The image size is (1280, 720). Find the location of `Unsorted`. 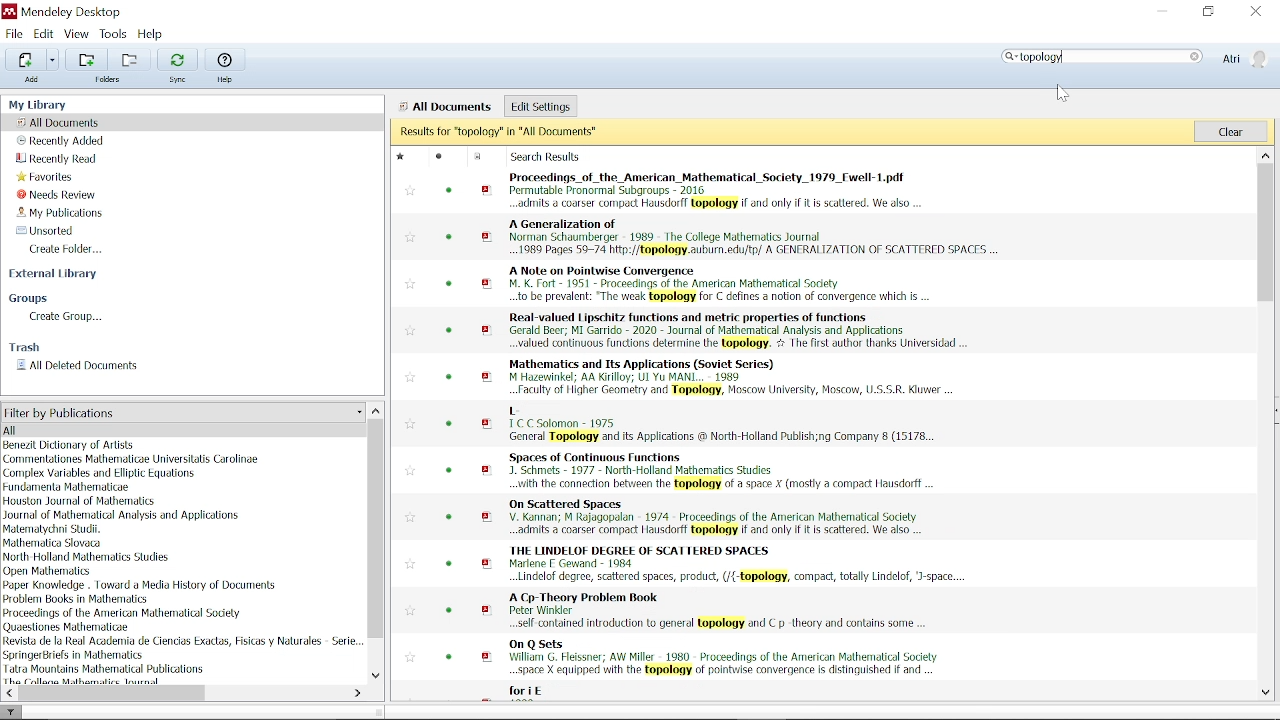

Unsorted is located at coordinates (42, 230).